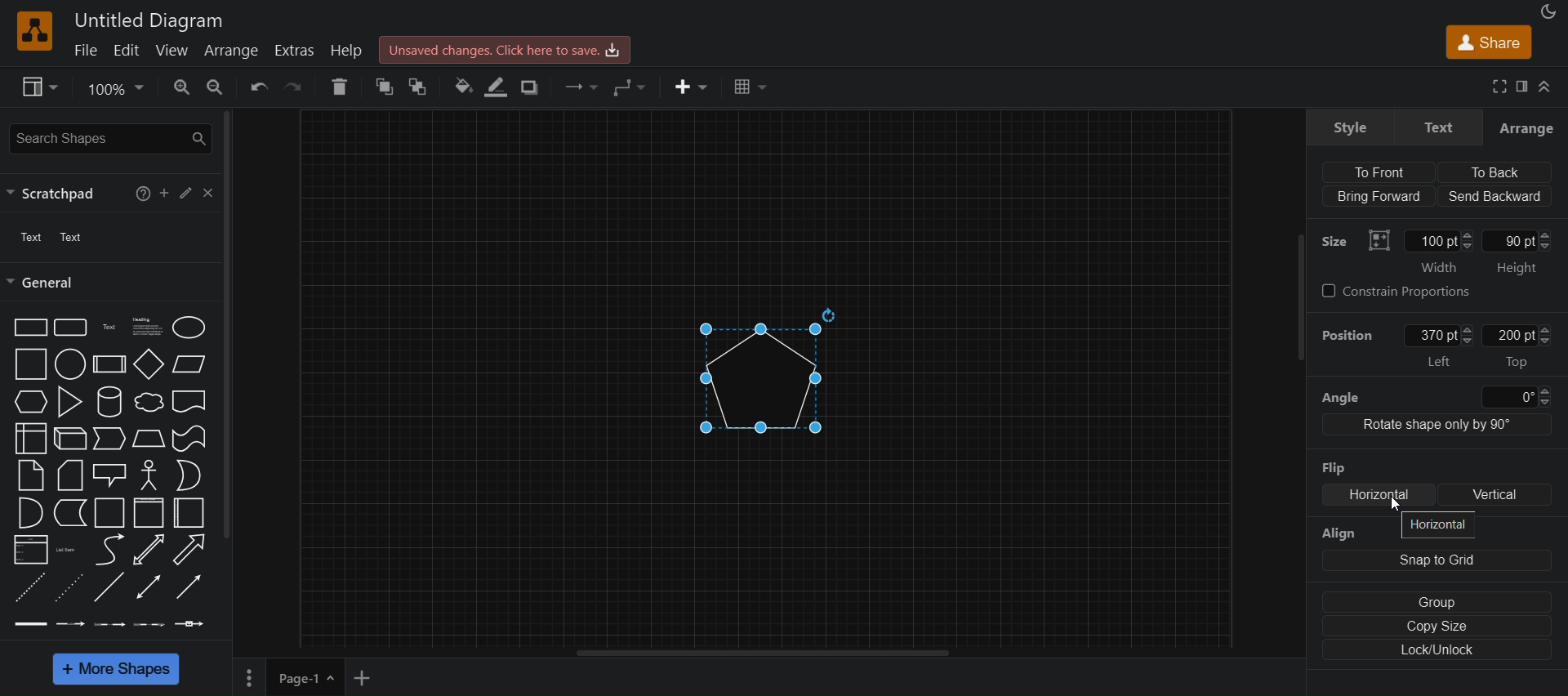  I want to click on Line, so click(109, 587).